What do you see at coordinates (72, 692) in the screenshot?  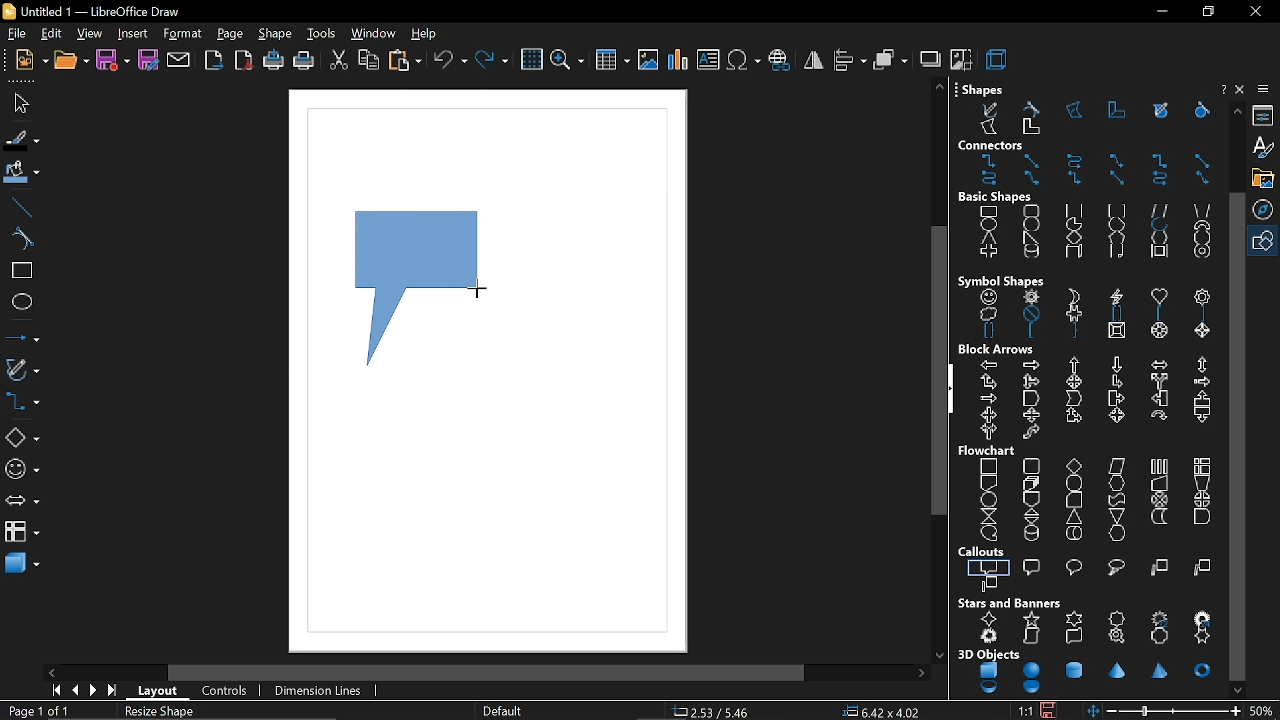 I see `previous page` at bounding box center [72, 692].